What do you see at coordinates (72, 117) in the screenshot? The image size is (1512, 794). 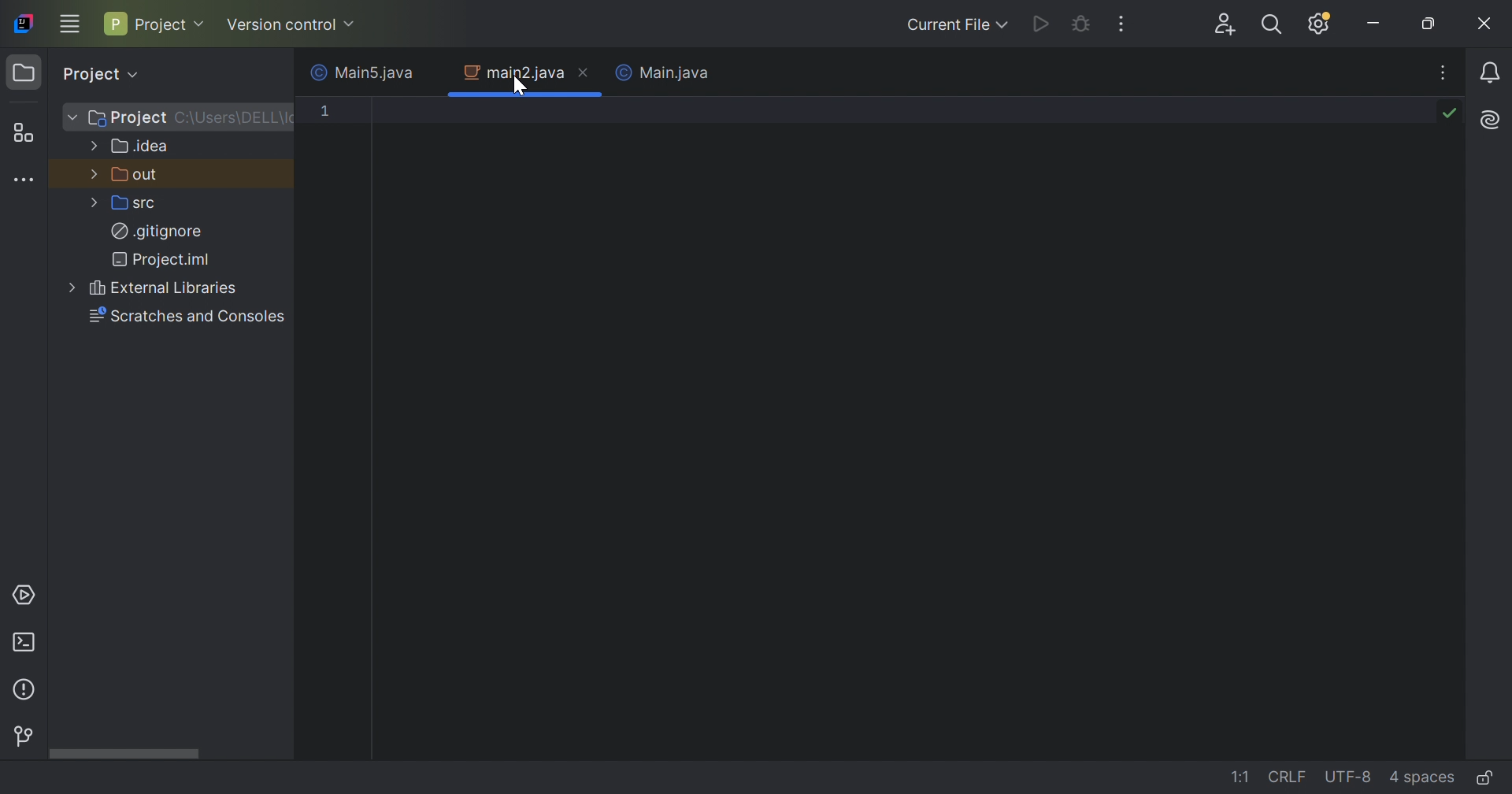 I see `More` at bounding box center [72, 117].